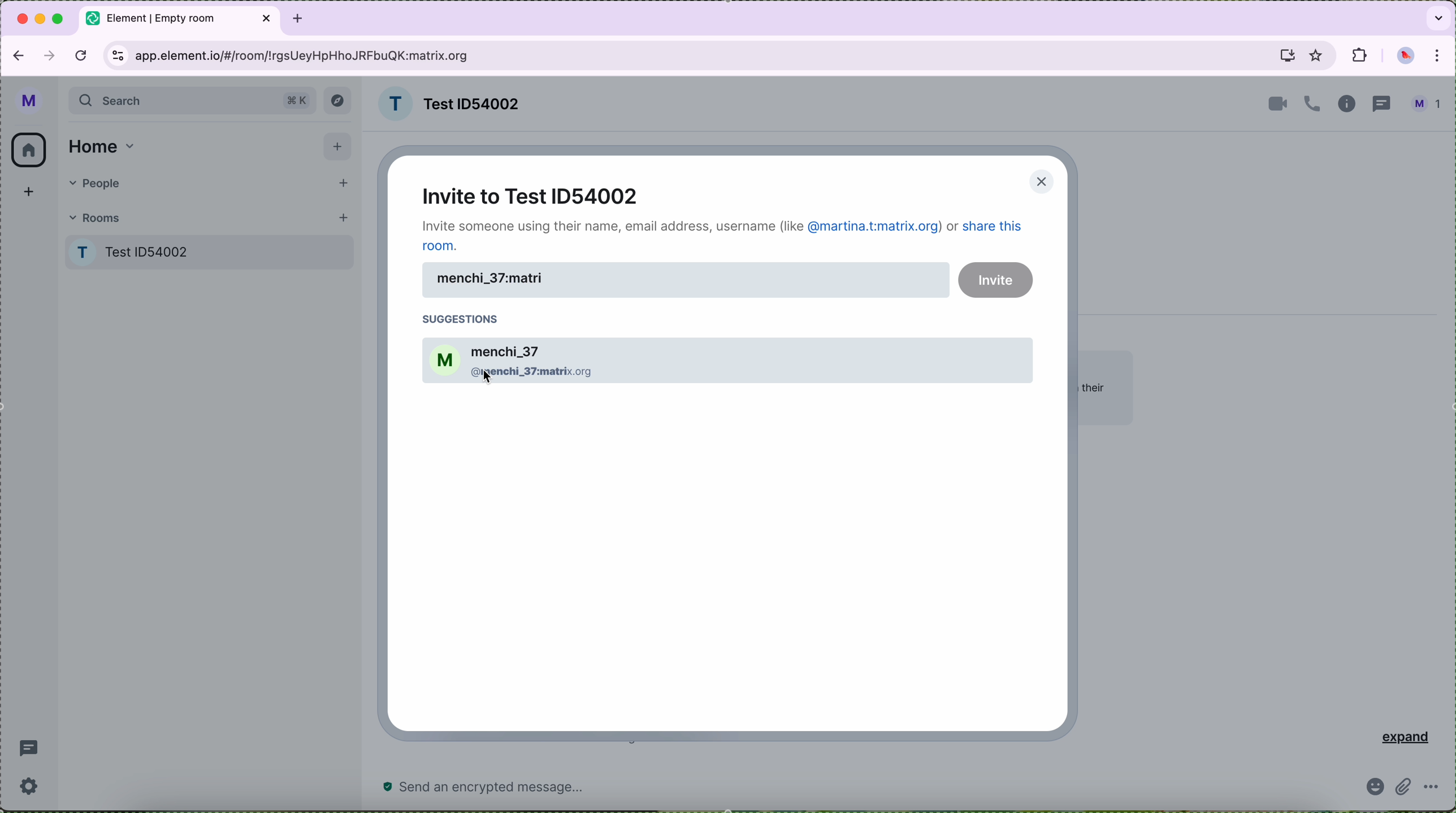  What do you see at coordinates (1382, 103) in the screenshot?
I see `threads` at bounding box center [1382, 103].